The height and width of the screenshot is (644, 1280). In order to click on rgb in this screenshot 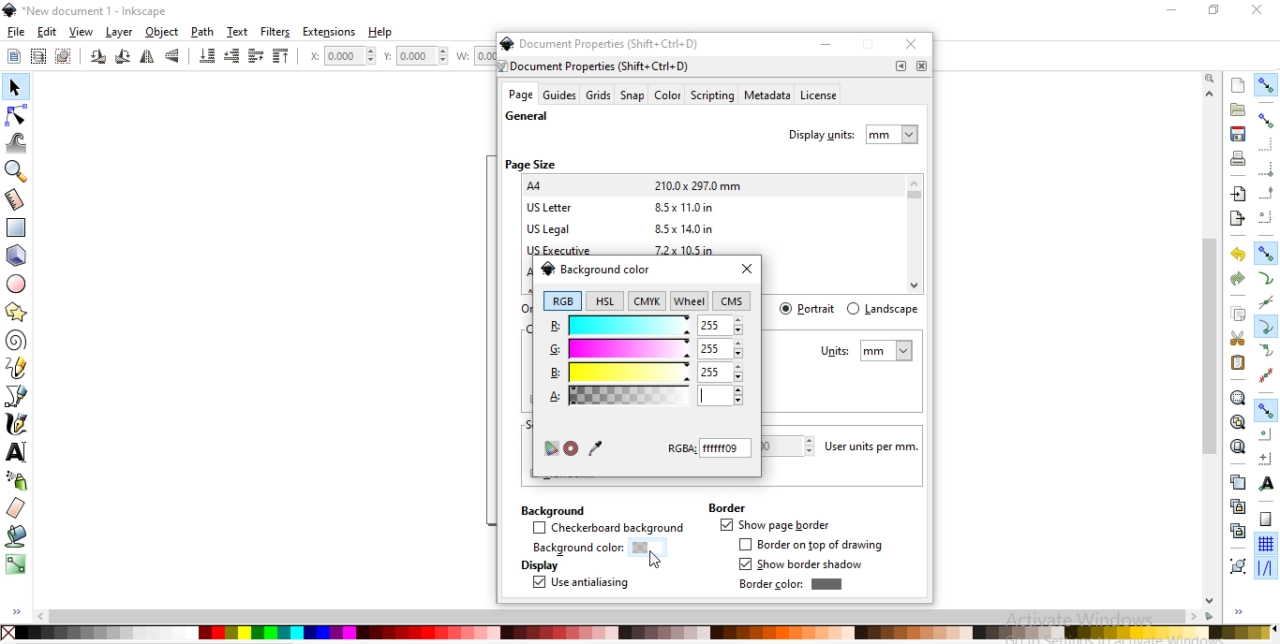, I will do `click(562, 301)`.